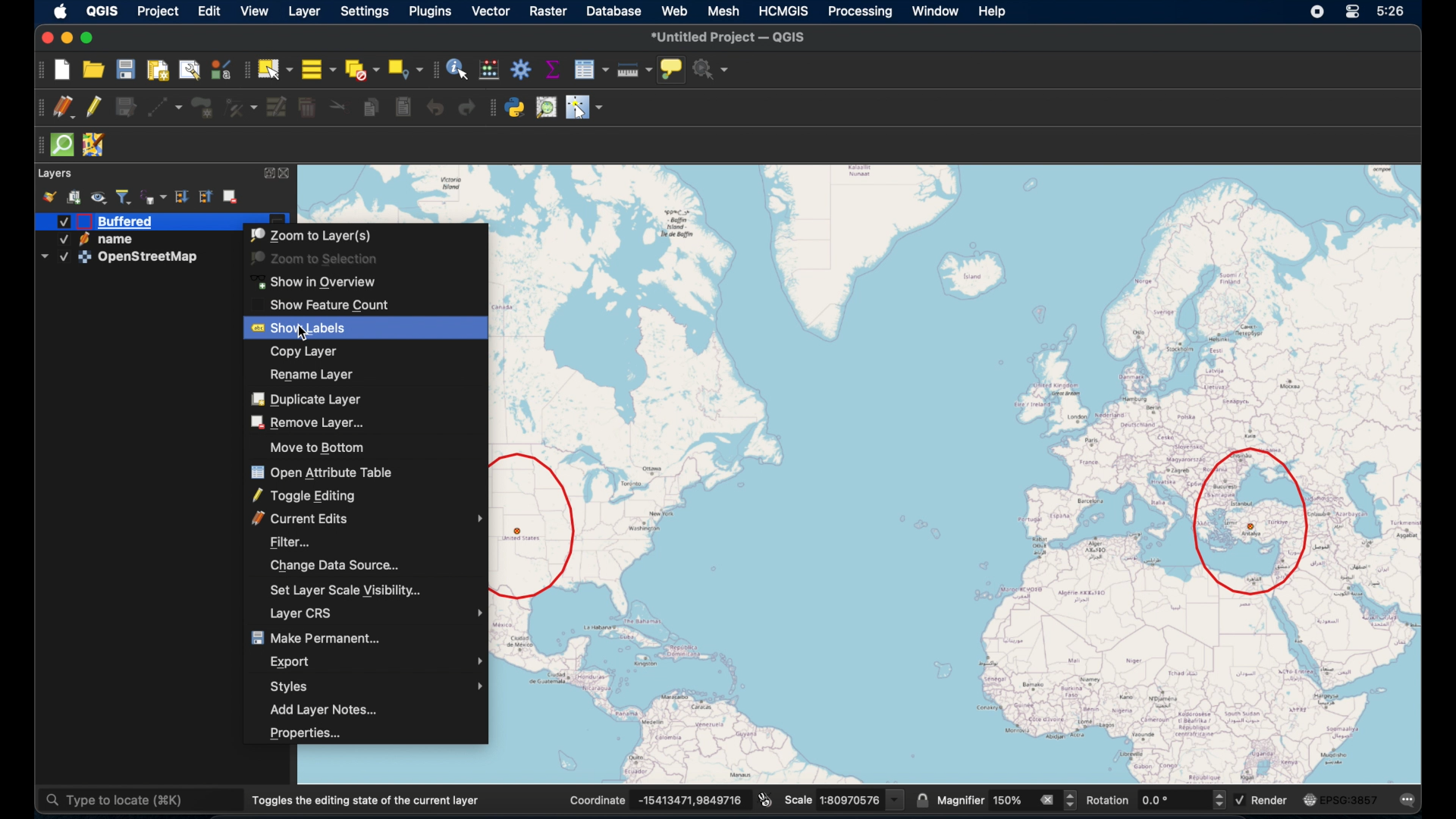  What do you see at coordinates (379, 686) in the screenshot?
I see `styles menu` at bounding box center [379, 686].